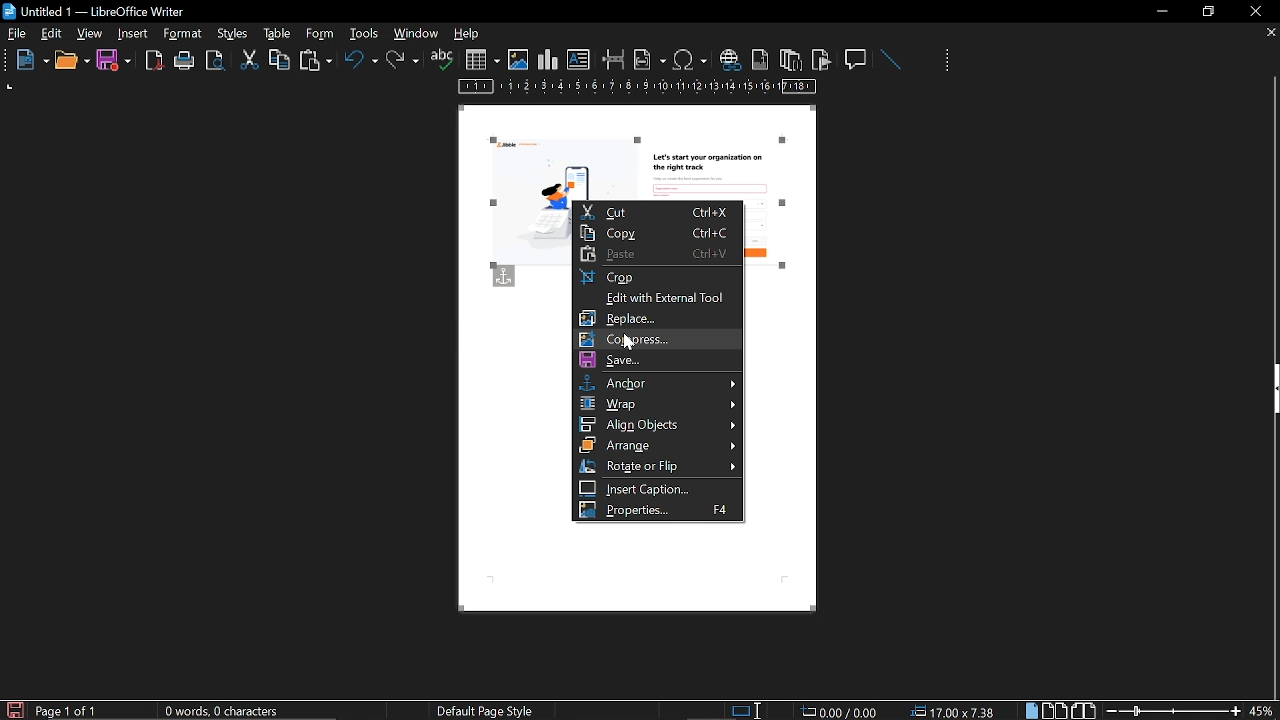  Describe the element at coordinates (518, 60) in the screenshot. I see `insert image` at that location.